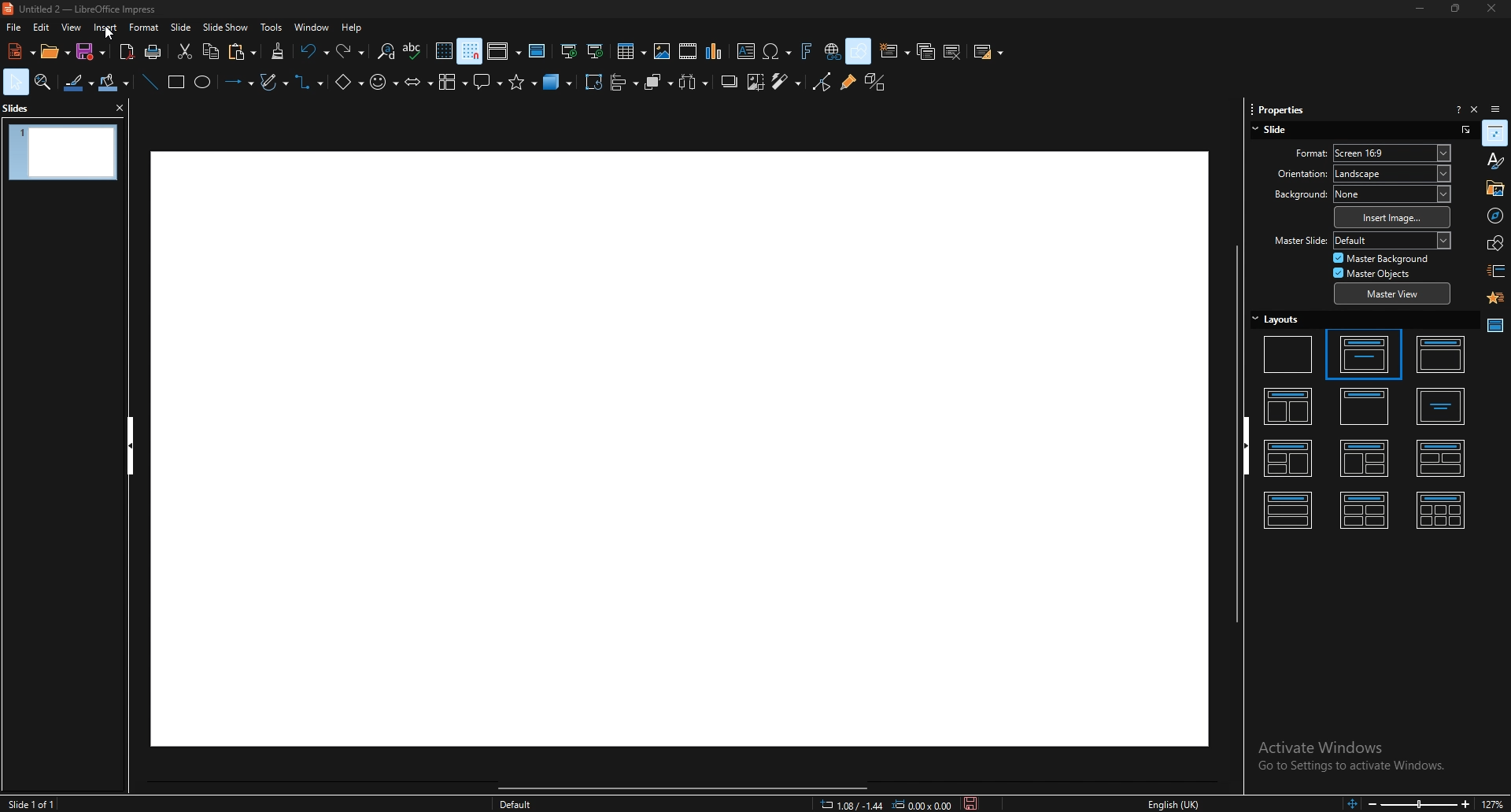 This screenshot has height=812, width=1511. Describe the element at coordinates (1382, 258) in the screenshot. I see `master background` at that location.